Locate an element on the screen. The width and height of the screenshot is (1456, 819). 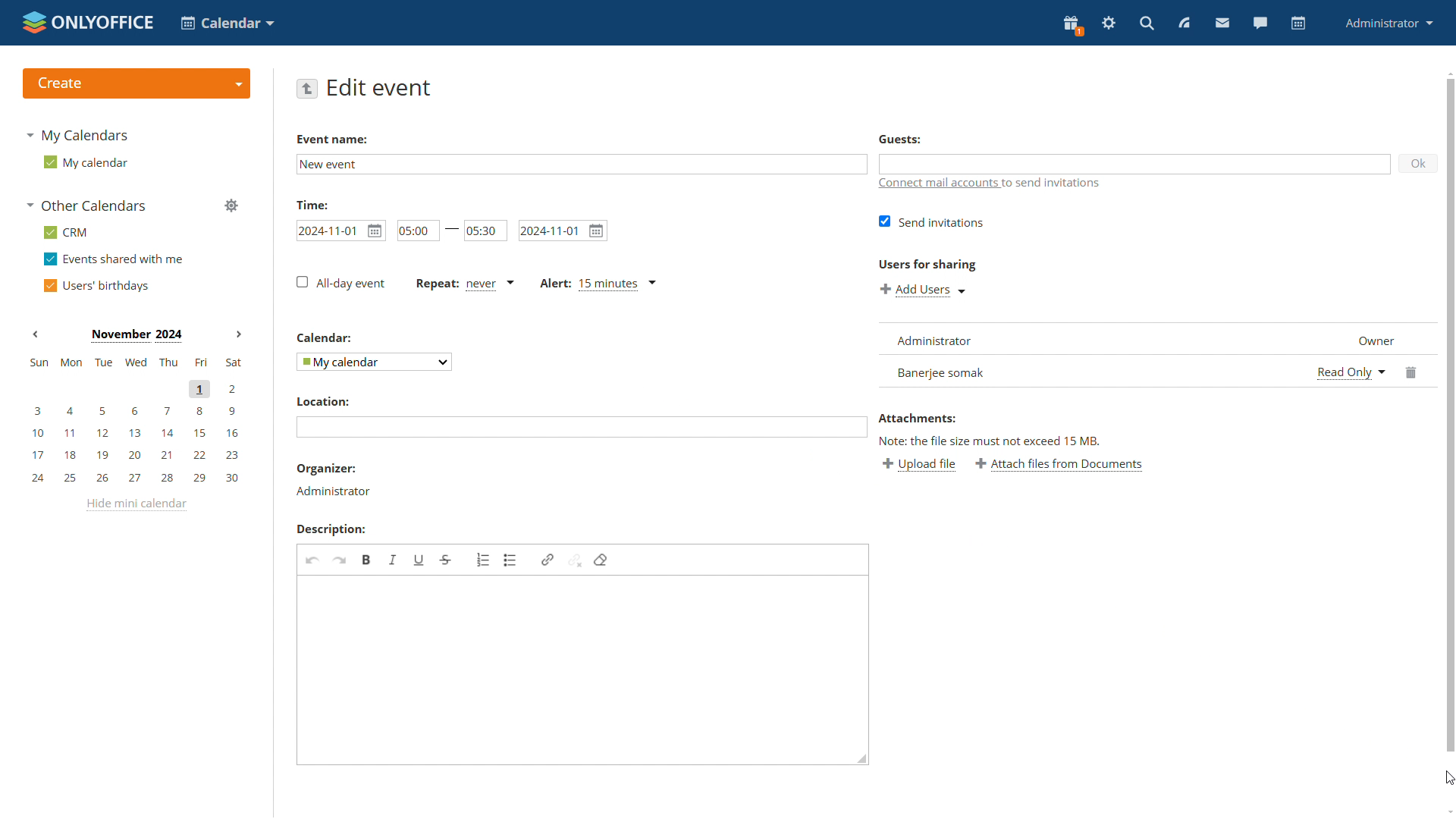
unlink is located at coordinates (575, 560).